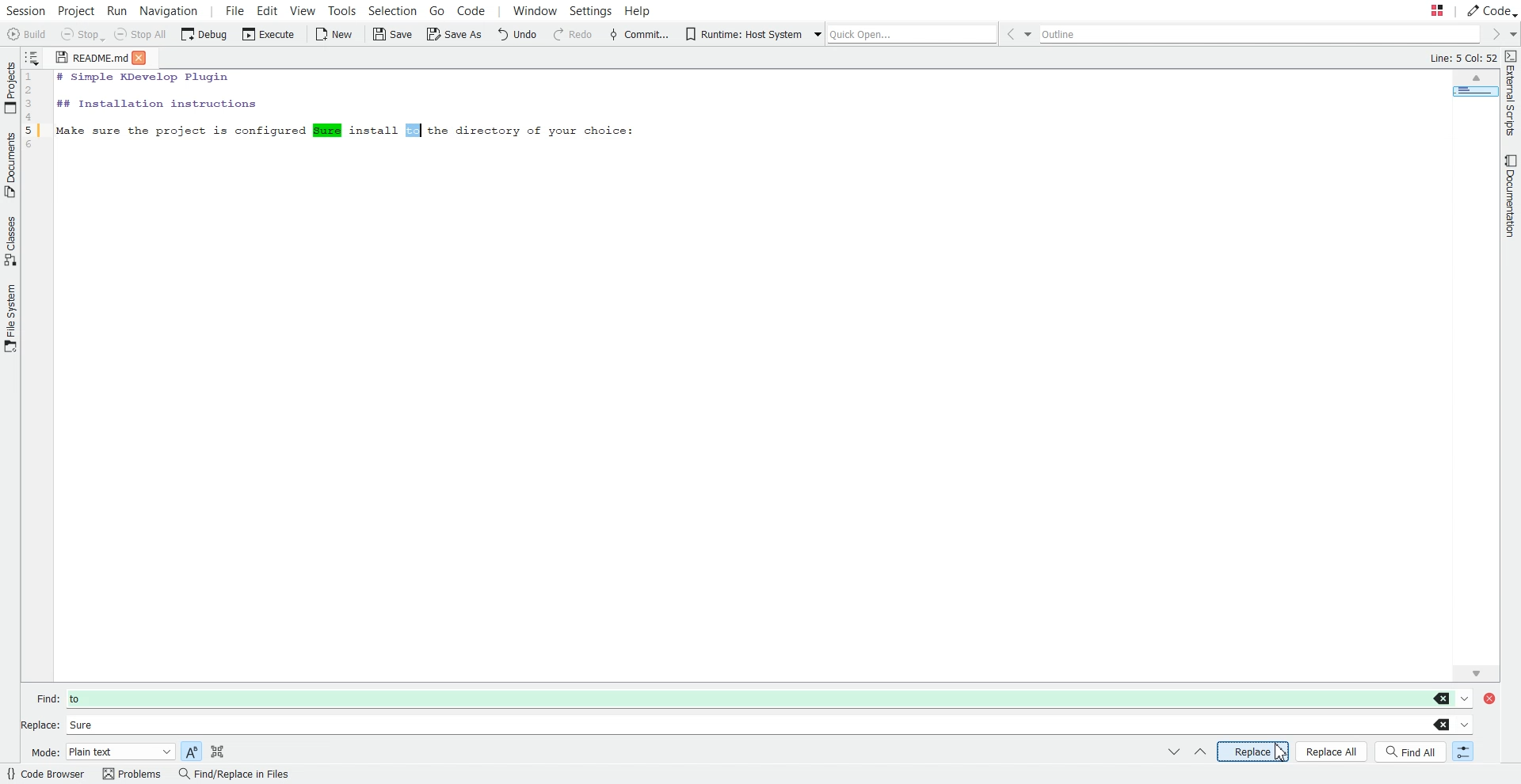 The width and height of the screenshot is (1521, 784). Describe the element at coordinates (217, 750) in the screenshot. I see `Search in selection only` at that location.